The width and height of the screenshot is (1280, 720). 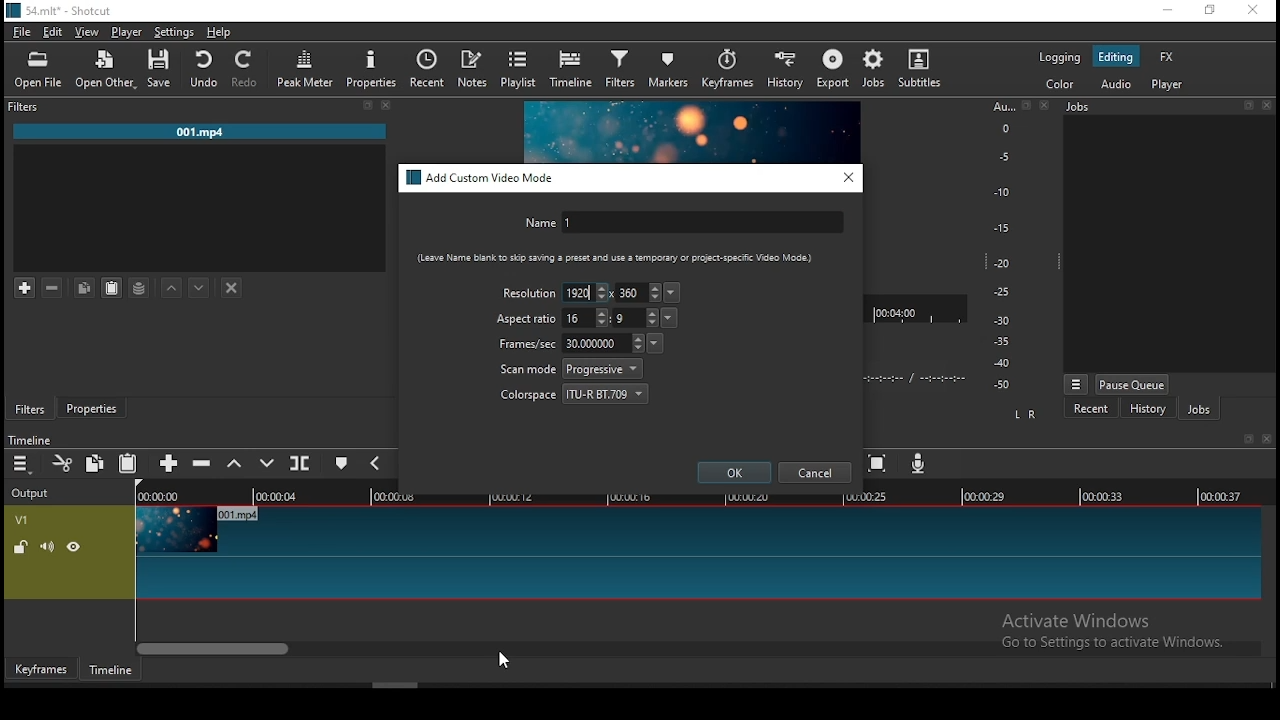 What do you see at coordinates (1005, 320) in the screenshot?
I see `-30` at bounding box center [1005, 320].